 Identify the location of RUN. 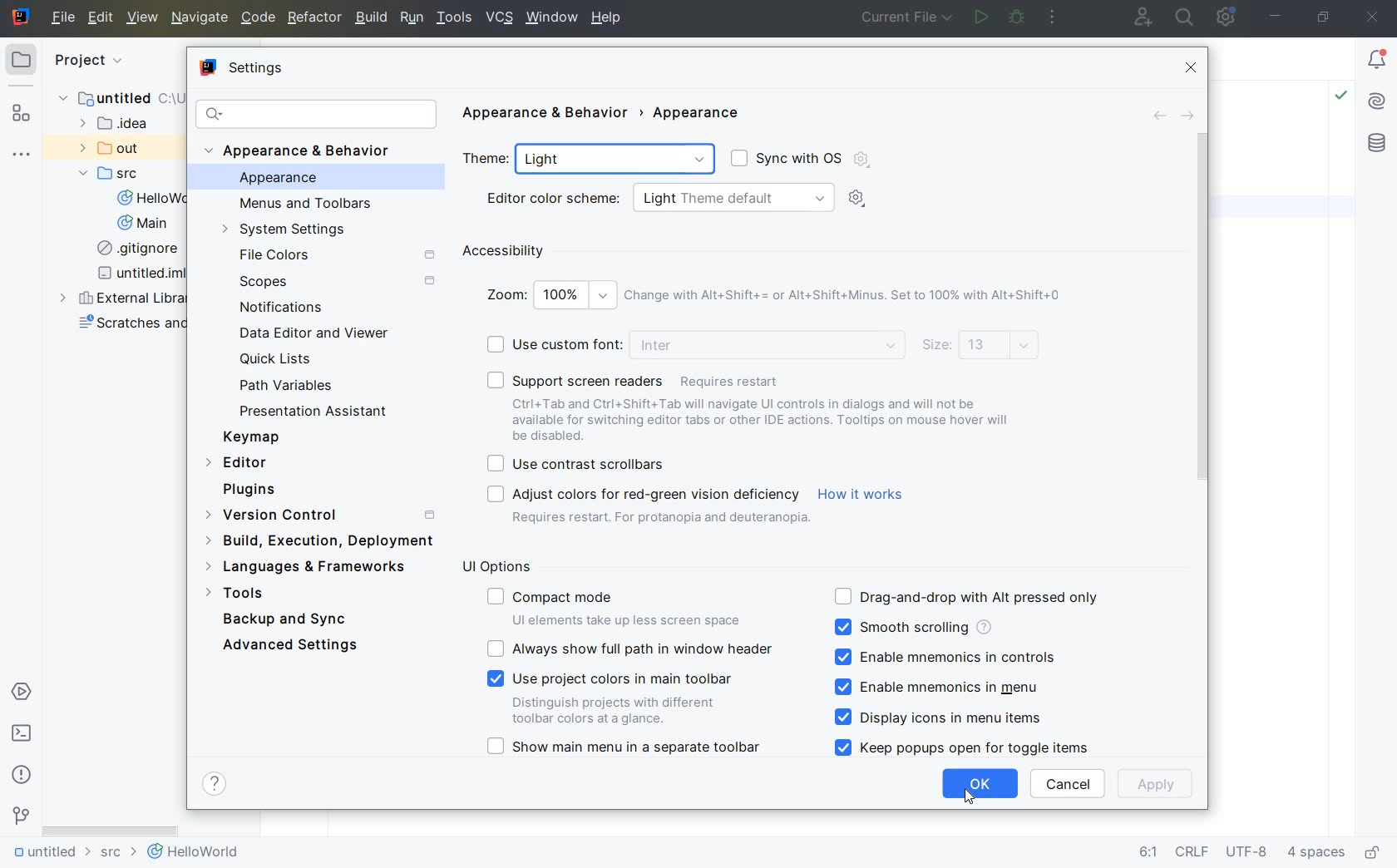
(409, 17).